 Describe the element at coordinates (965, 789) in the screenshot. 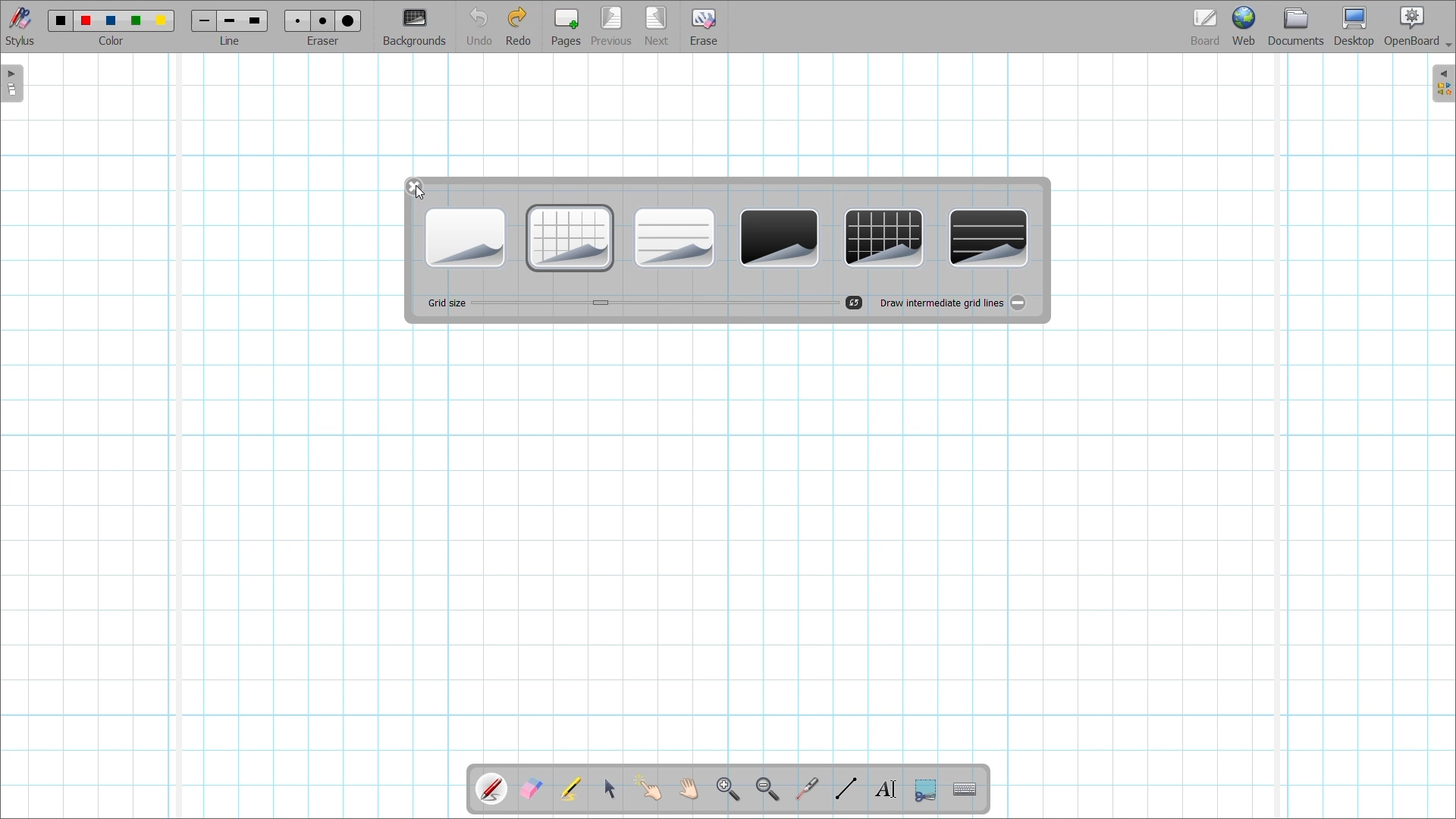

I see `Display virtual keyboard ` at that location.